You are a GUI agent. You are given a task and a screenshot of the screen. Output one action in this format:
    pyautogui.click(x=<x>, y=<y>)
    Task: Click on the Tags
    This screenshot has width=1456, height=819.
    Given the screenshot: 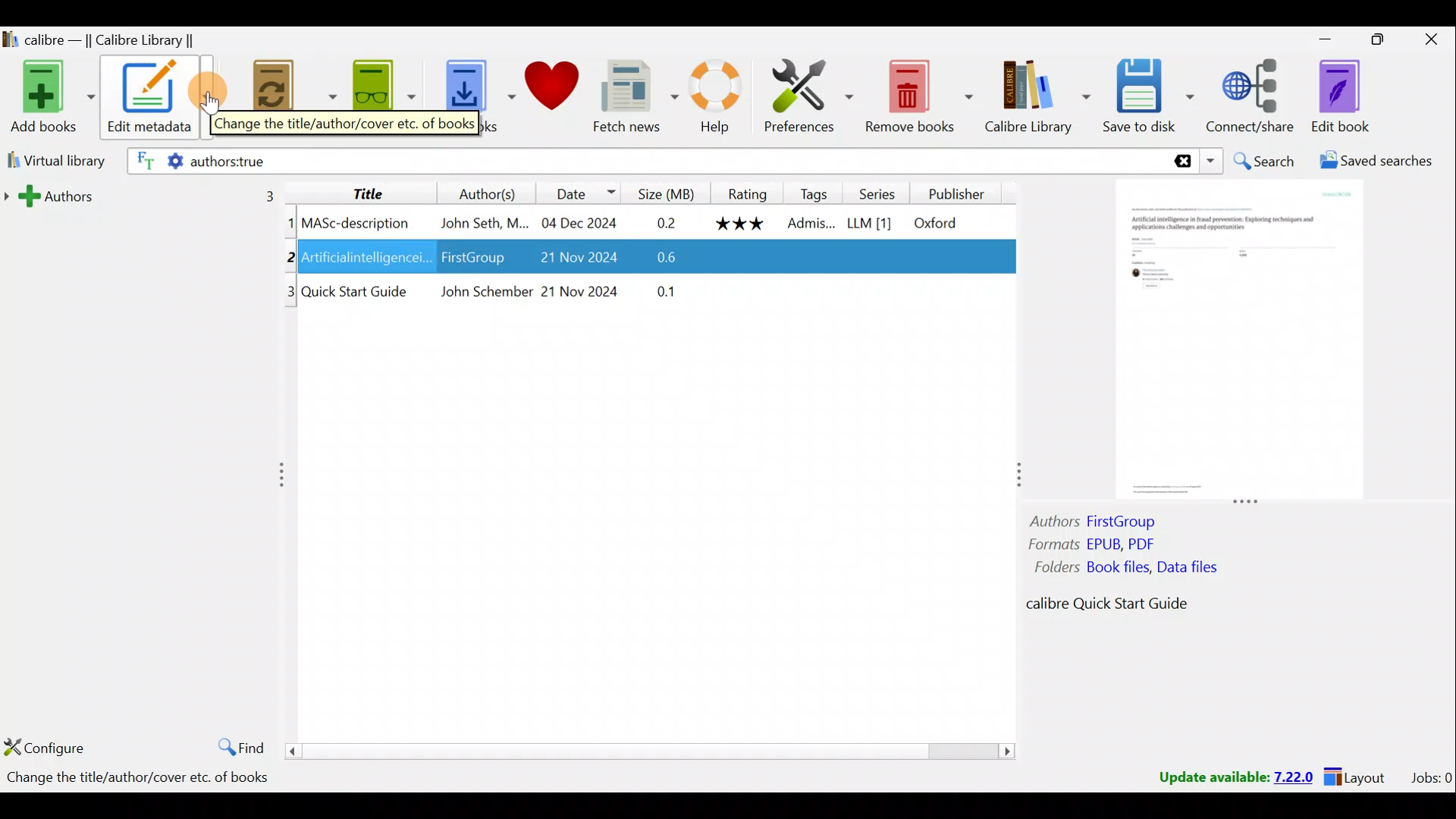 What is the action you would take?
    pyautogui.click(x=814, y=192)
    